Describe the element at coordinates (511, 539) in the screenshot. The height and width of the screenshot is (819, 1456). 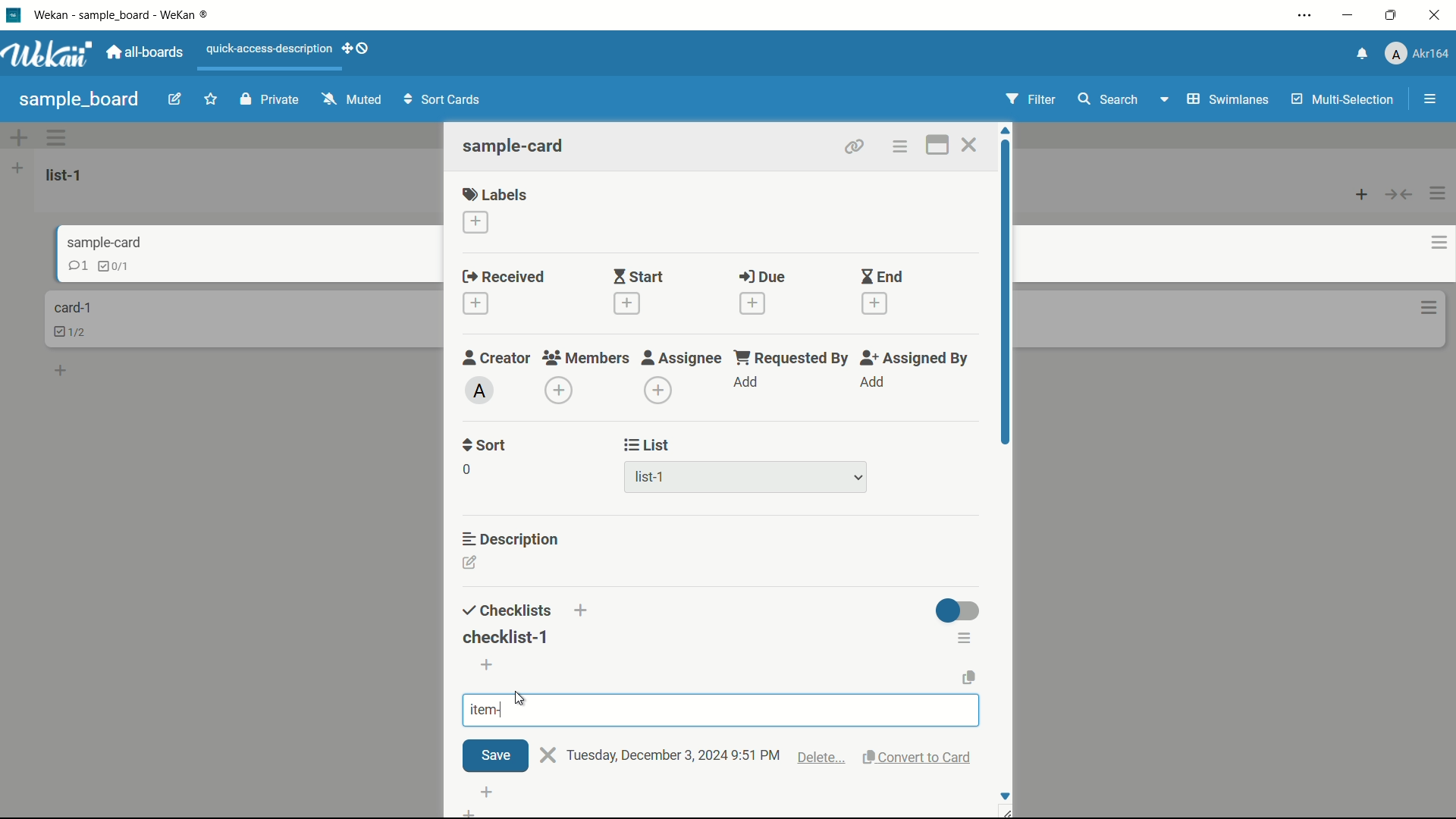
I see `description` at that location.